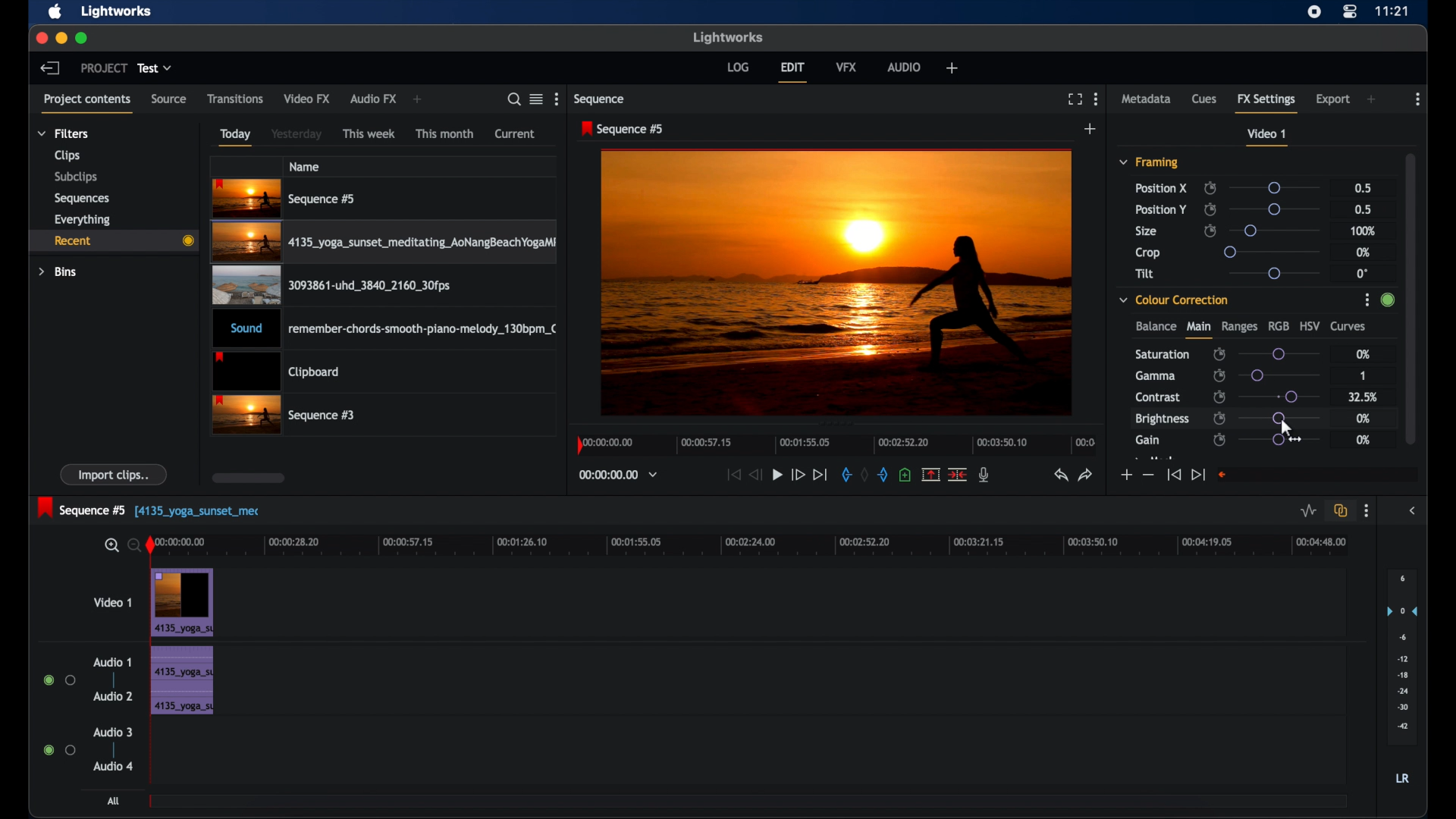 This screenshot has width=1456, height=819. Describe the element at coordinates (1220, 375) in the screenshot. I see `enable/disable keyframes` at that location.